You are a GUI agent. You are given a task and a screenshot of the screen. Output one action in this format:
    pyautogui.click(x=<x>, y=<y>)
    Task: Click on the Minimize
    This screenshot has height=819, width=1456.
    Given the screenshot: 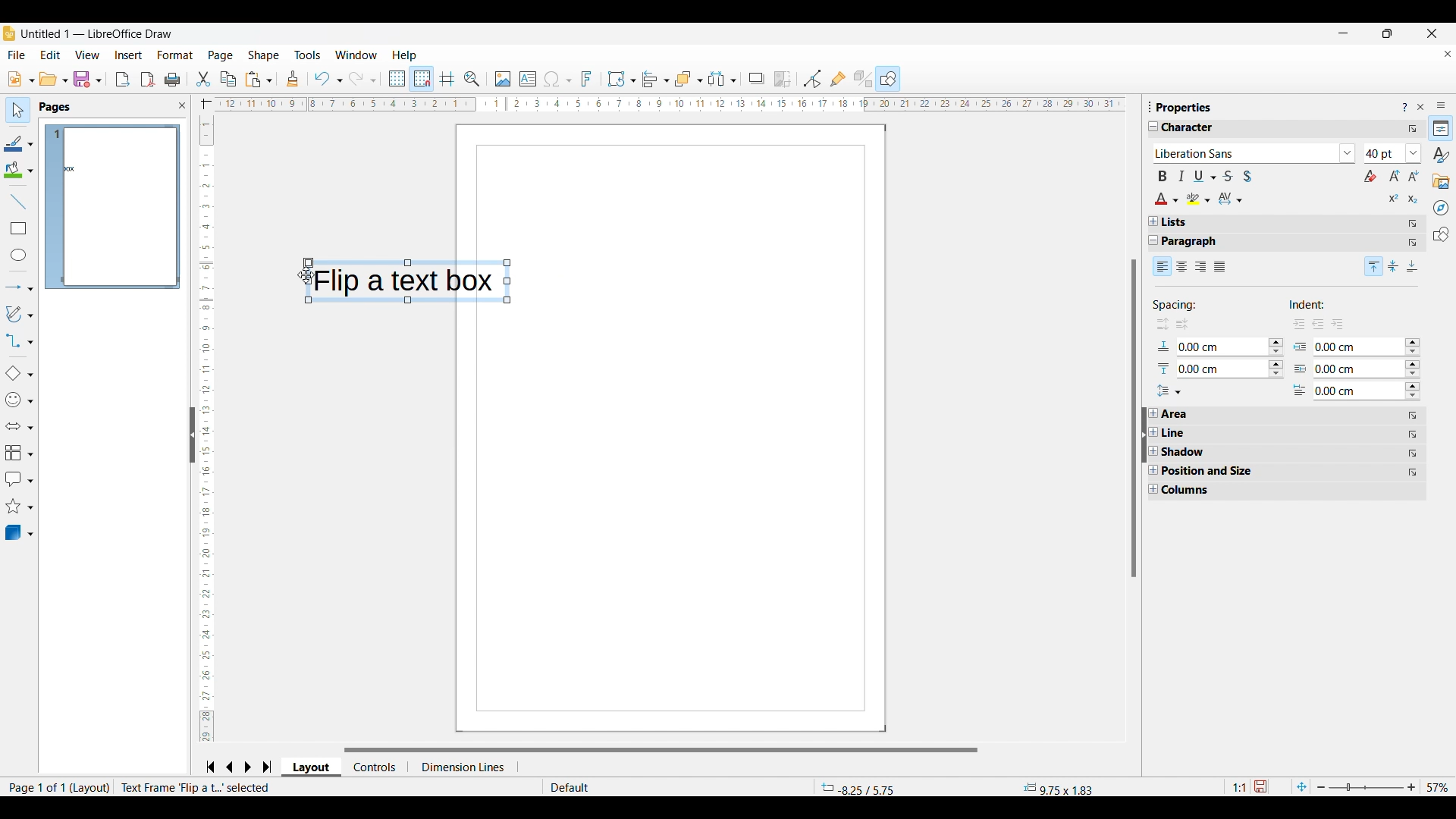 What is the action you would take?
    pyautogui.click(x=1344, y=33)
    